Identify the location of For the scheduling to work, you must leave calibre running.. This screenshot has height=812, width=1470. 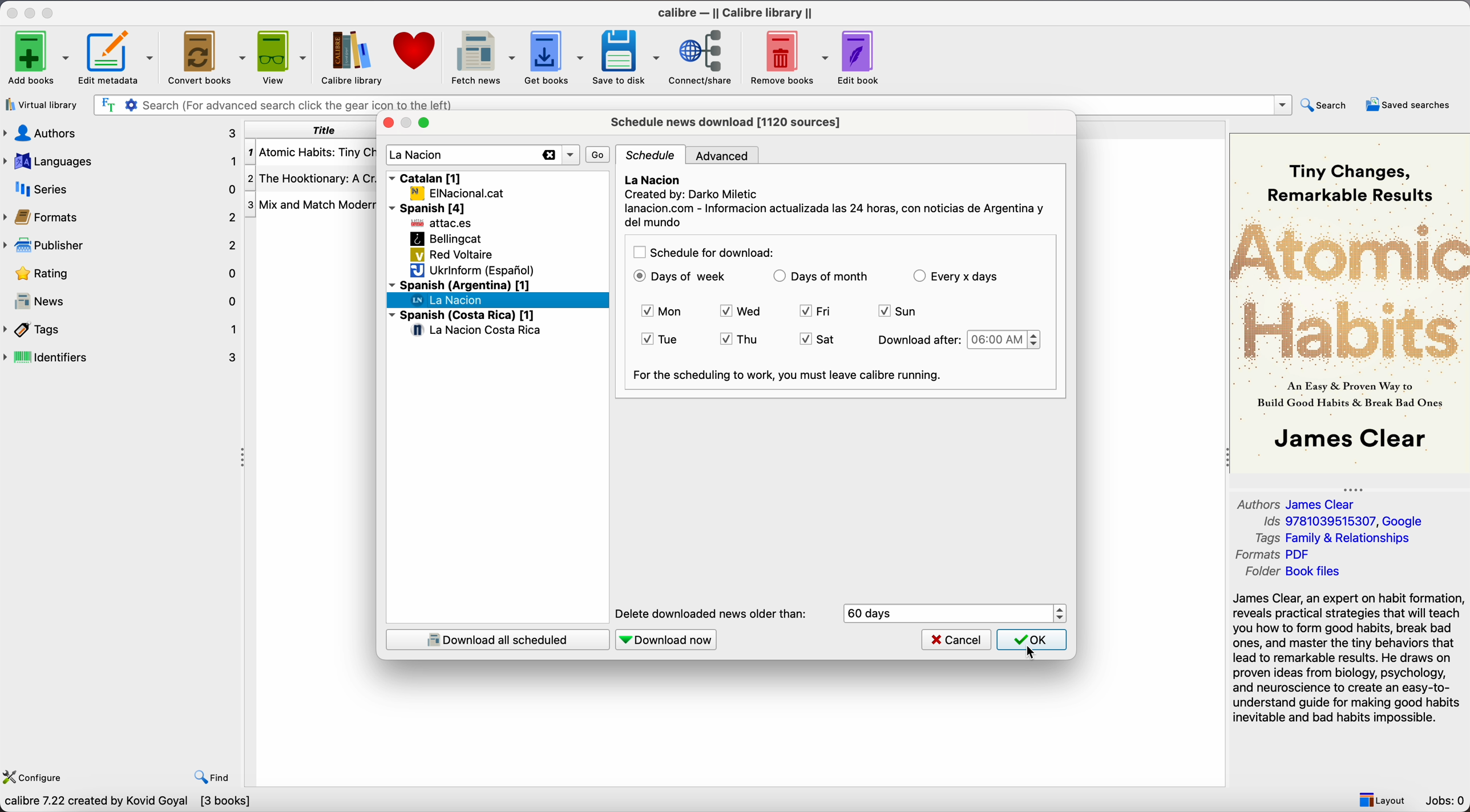
(789, 375).